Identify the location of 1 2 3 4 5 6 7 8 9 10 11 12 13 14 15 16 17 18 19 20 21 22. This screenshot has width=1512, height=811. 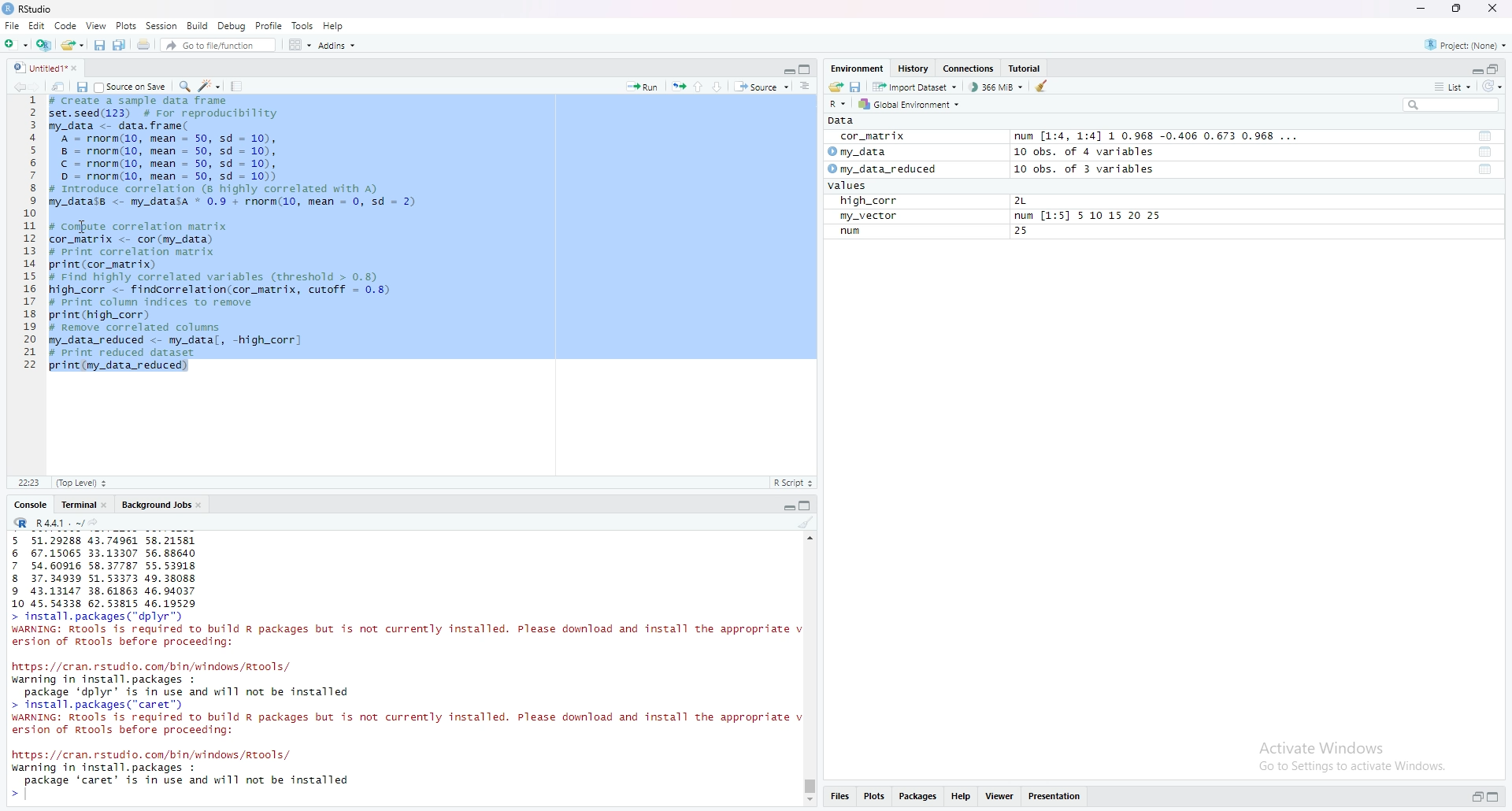
(30, 233).